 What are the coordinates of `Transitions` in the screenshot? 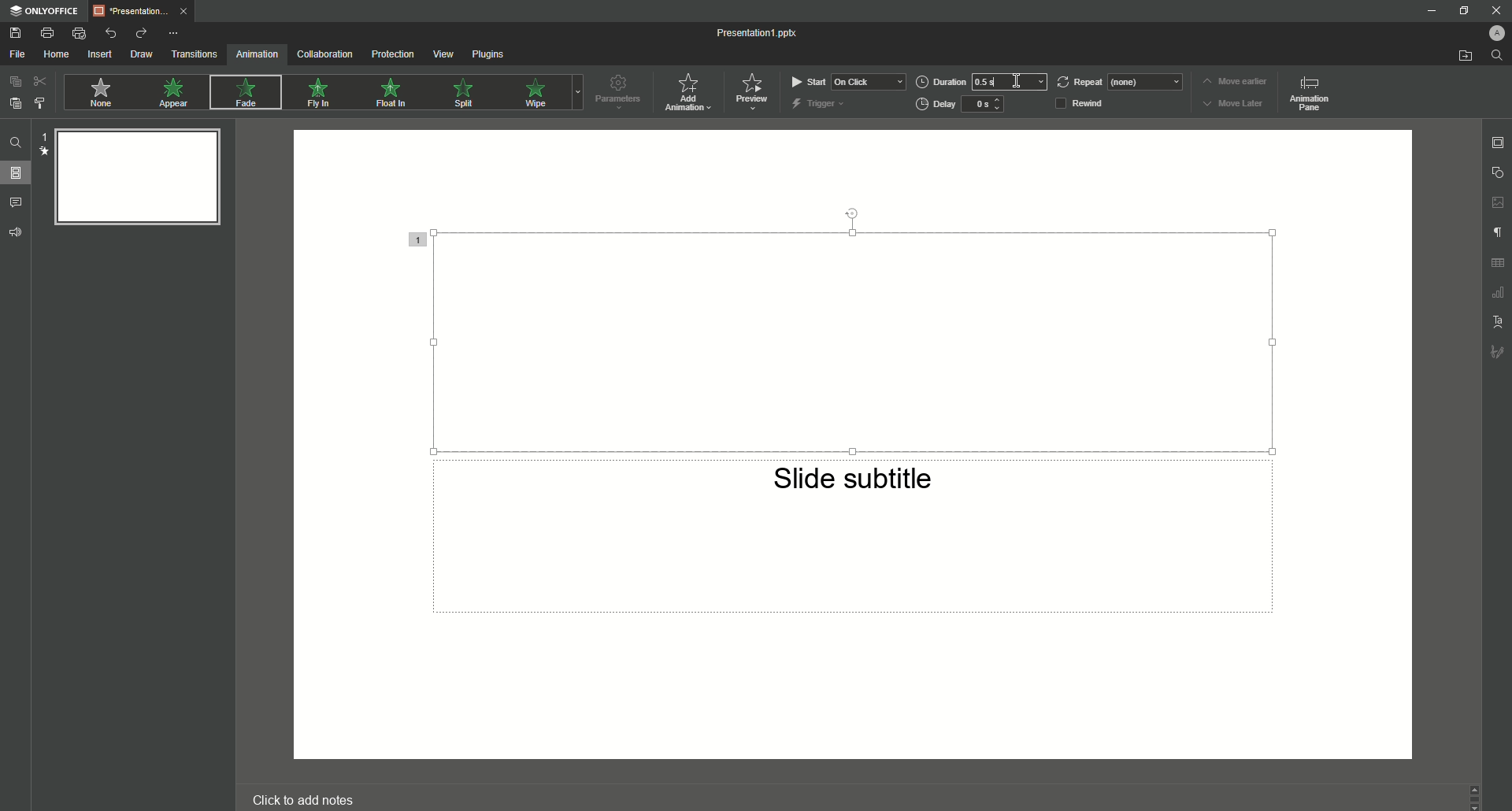 It's located at (195, 54).